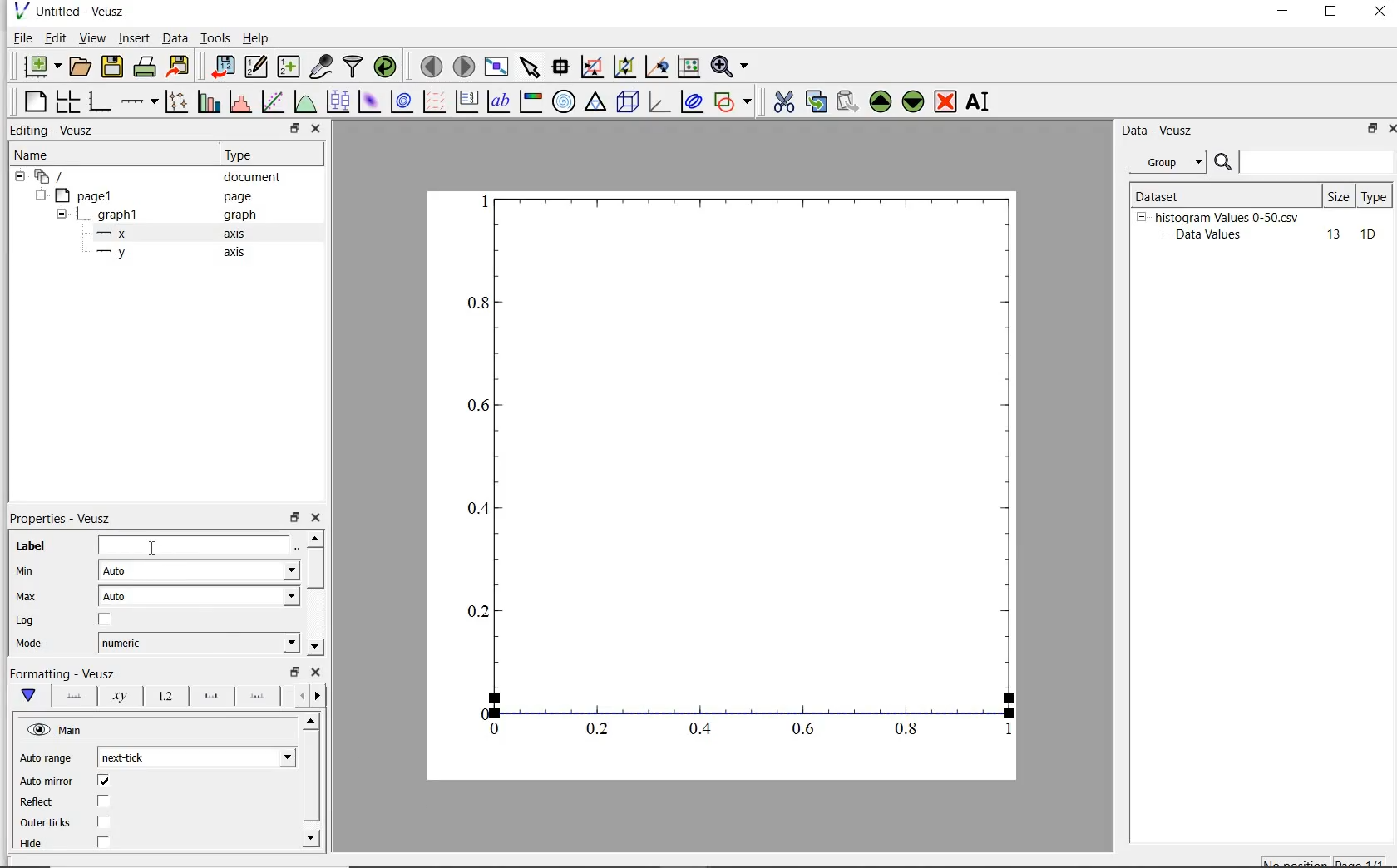  What do you see at coordinates (1317, 162) in the screenshot?
I see `search for dataset names` at bounding box center [1317, 162].